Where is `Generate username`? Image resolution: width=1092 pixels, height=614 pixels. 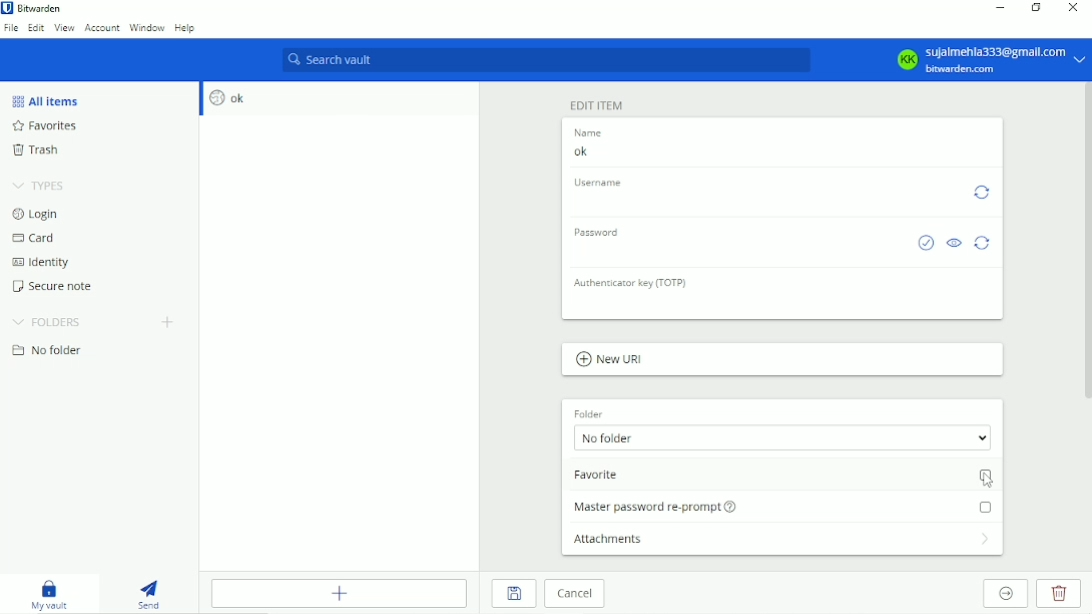 Generate username is located at coordinates (982, 194).